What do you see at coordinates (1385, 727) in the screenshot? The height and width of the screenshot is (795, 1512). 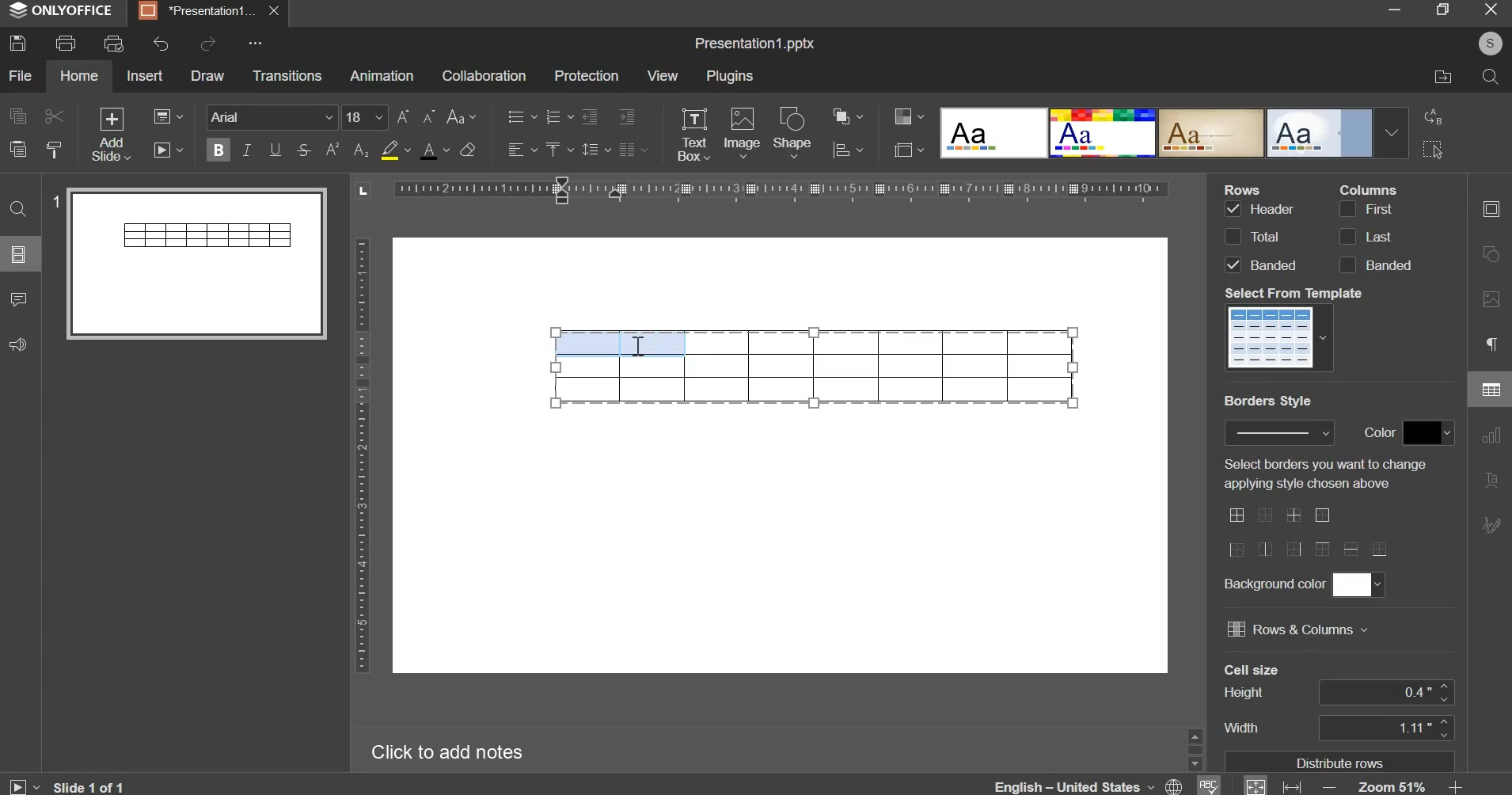 I see `cell width` at bounding box center [1385, 727].